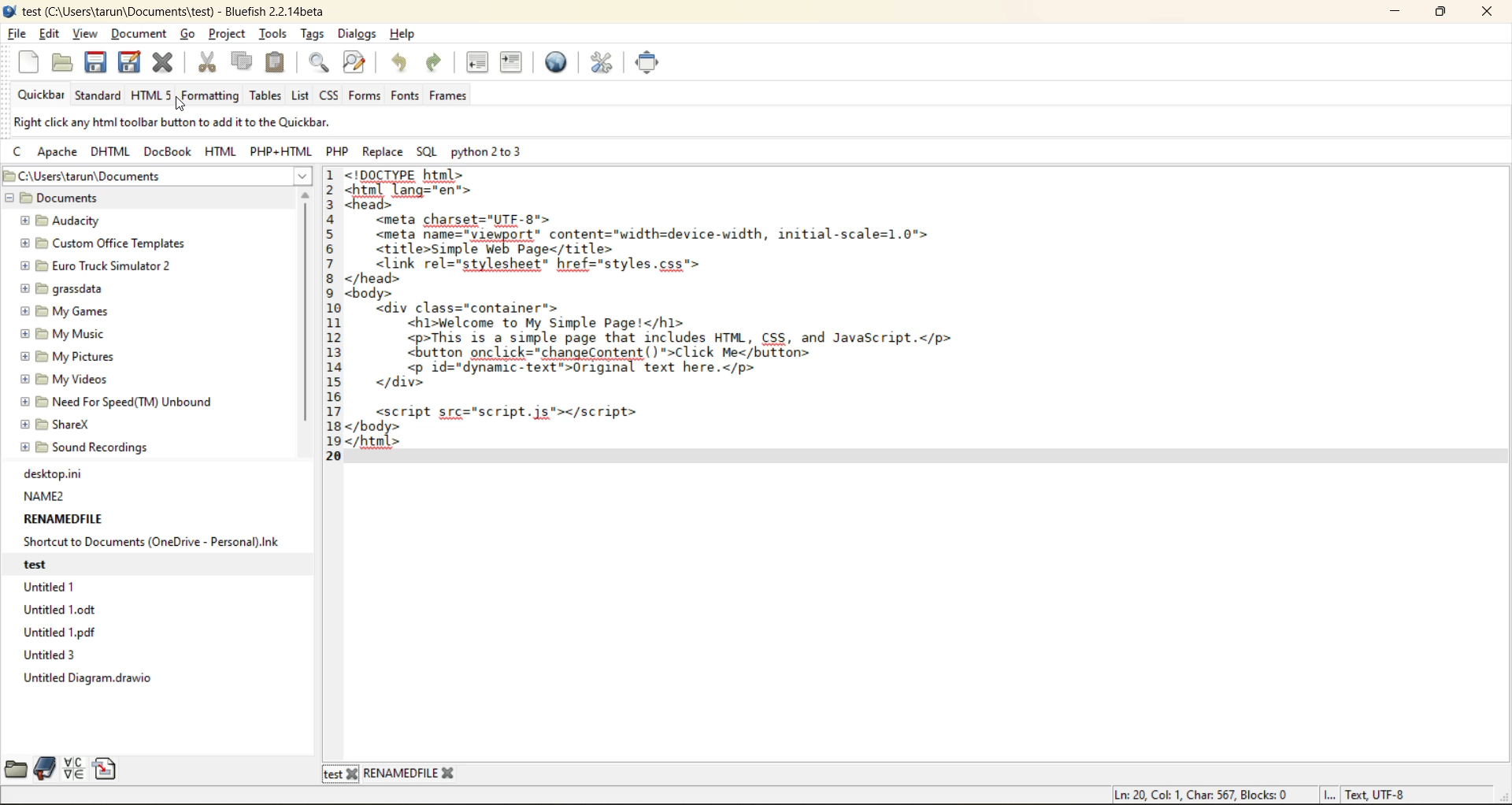 This screenshot has width=1512, height=805. I want to click on view, so click(83, 35).